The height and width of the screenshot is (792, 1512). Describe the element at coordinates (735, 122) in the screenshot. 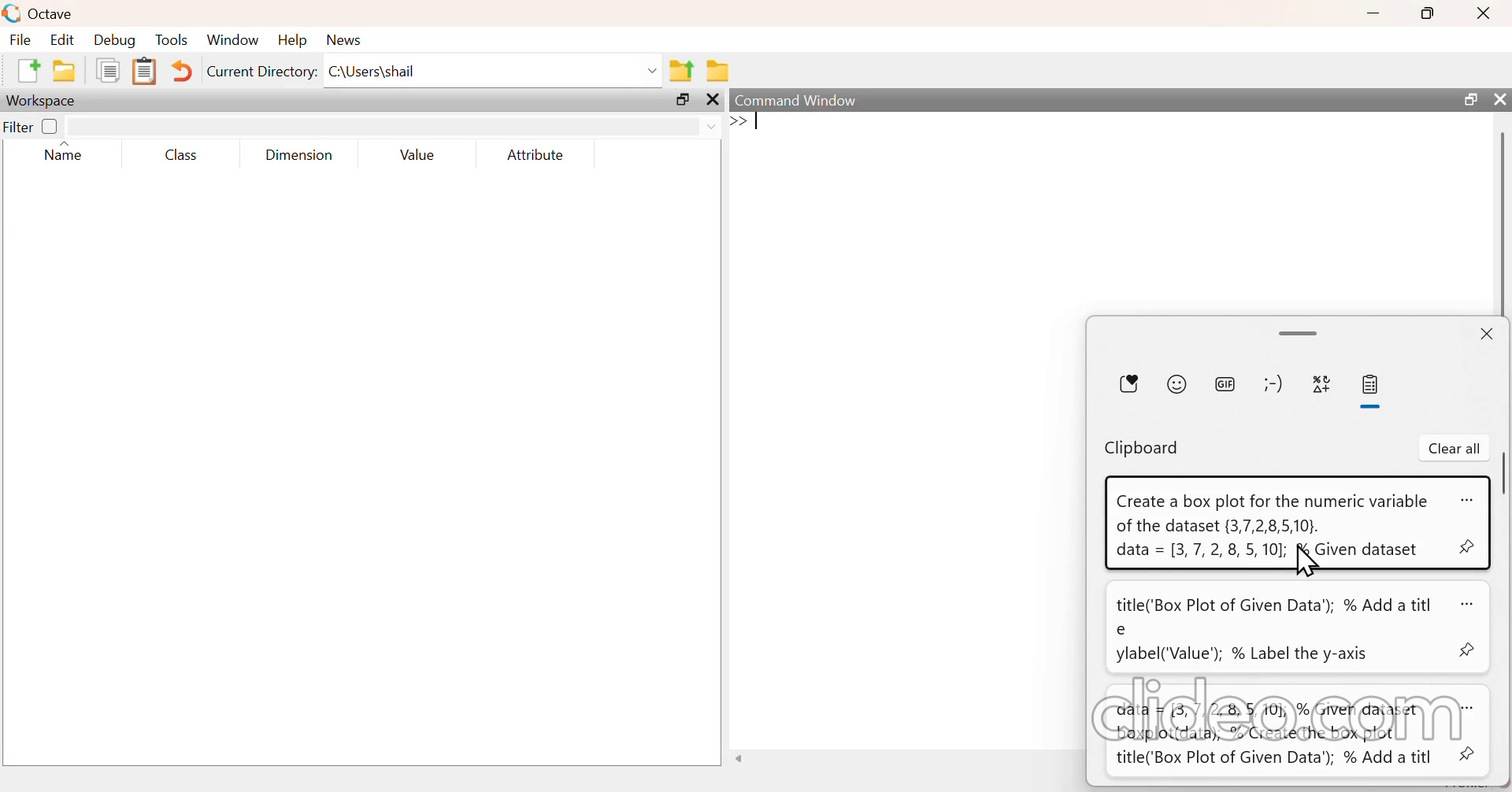

I see `prompt cursor` at that location.